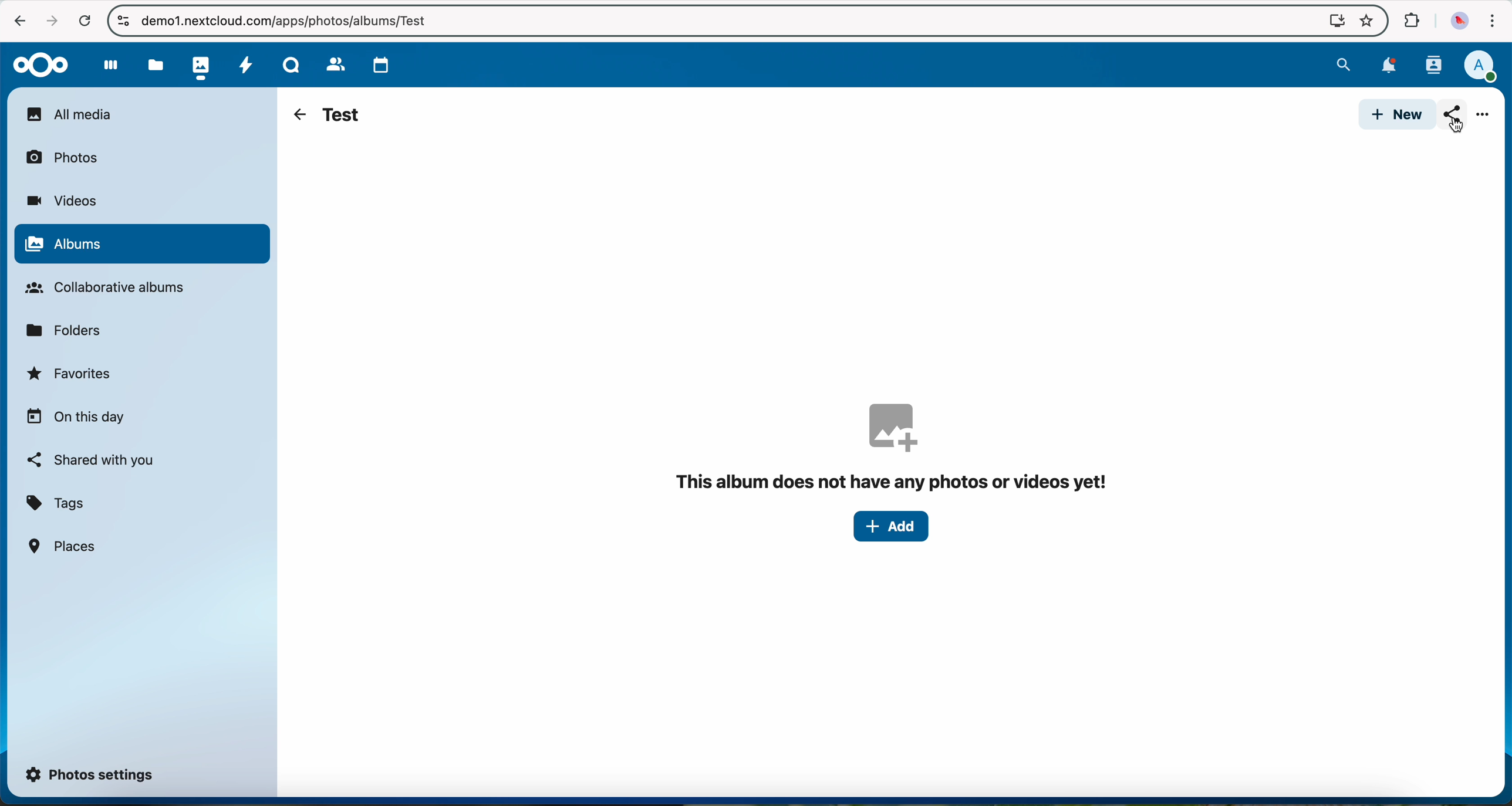 This screenshot has width=1512, height=806. What do you see at coordinates (1430, 65) in the screenshot?
I see `contacts` at bounding box center [1430, 65].